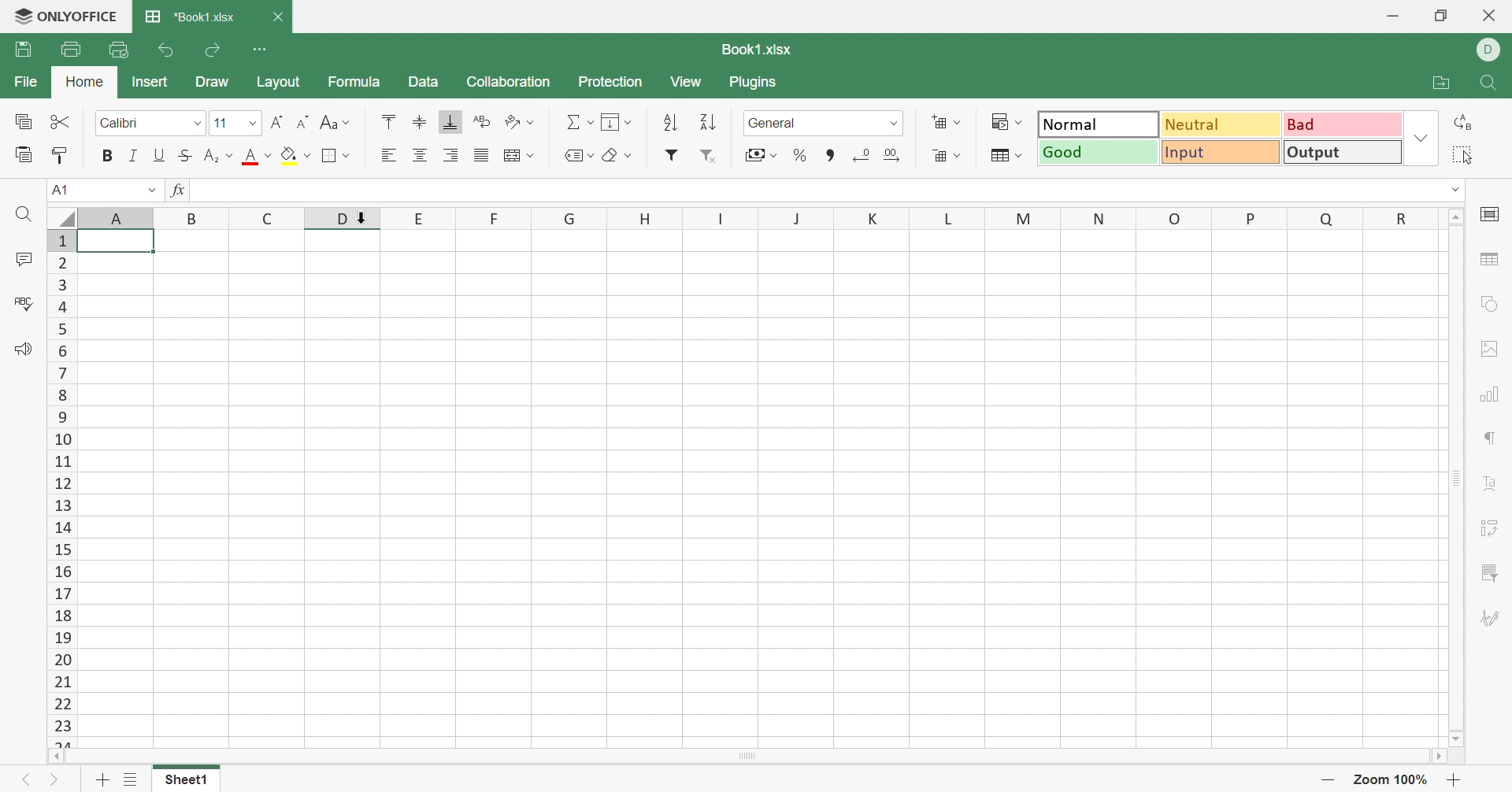 The height and width of the screenshot is (792, 1512). What do you see at coordinates (282, 83) in the screenshot?
I see `Layout` at bounding box center [282, 83].